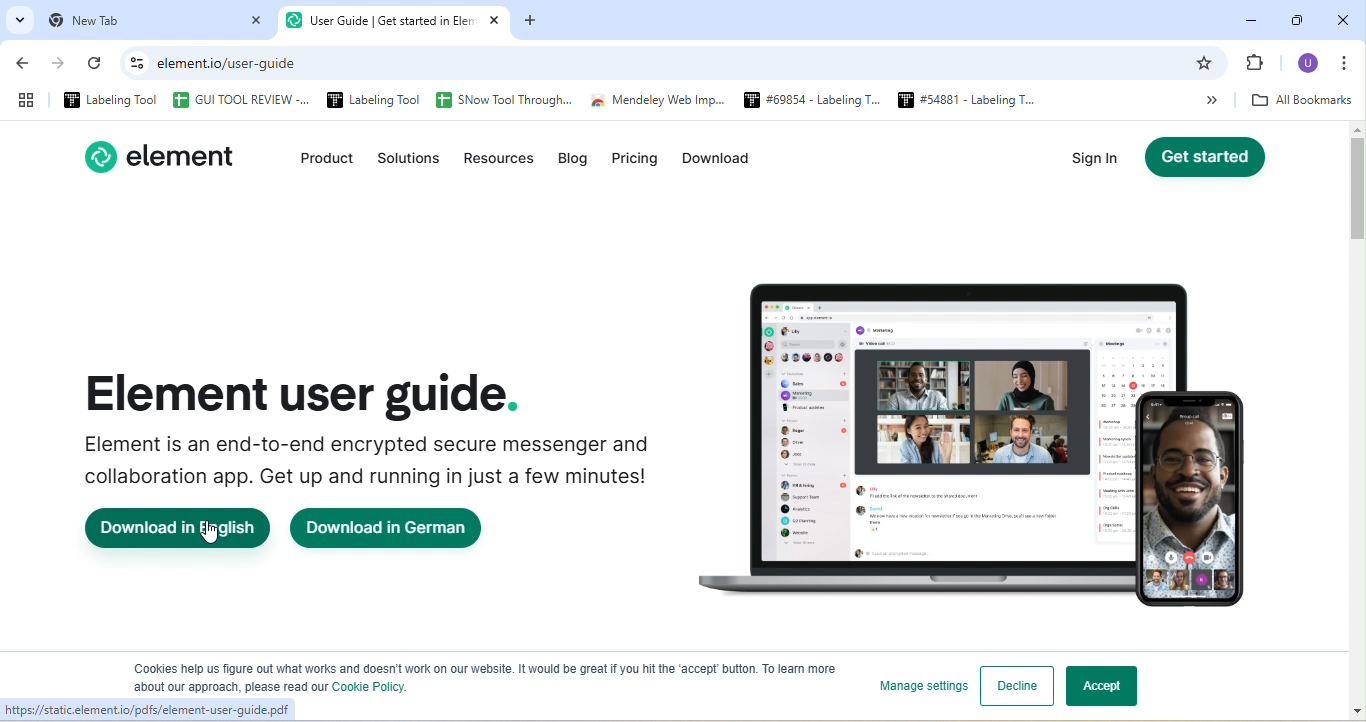 This screenshot has height=722, width=1366. I want to click on vertical scroll bar, so click(1355, 369).